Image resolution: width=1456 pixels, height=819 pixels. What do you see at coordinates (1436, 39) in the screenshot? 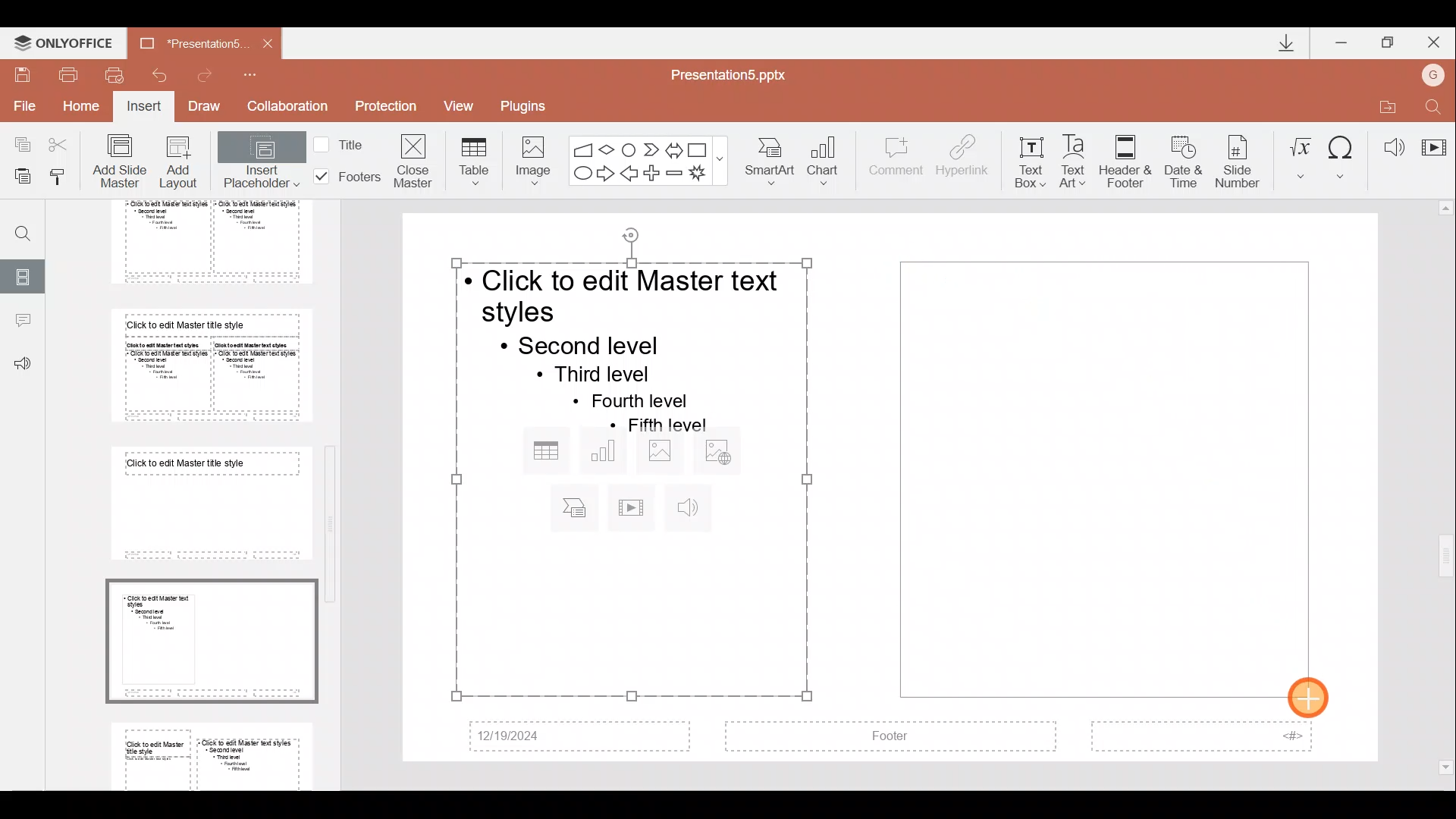
I see `Close` at bounding box center [1436, 39].